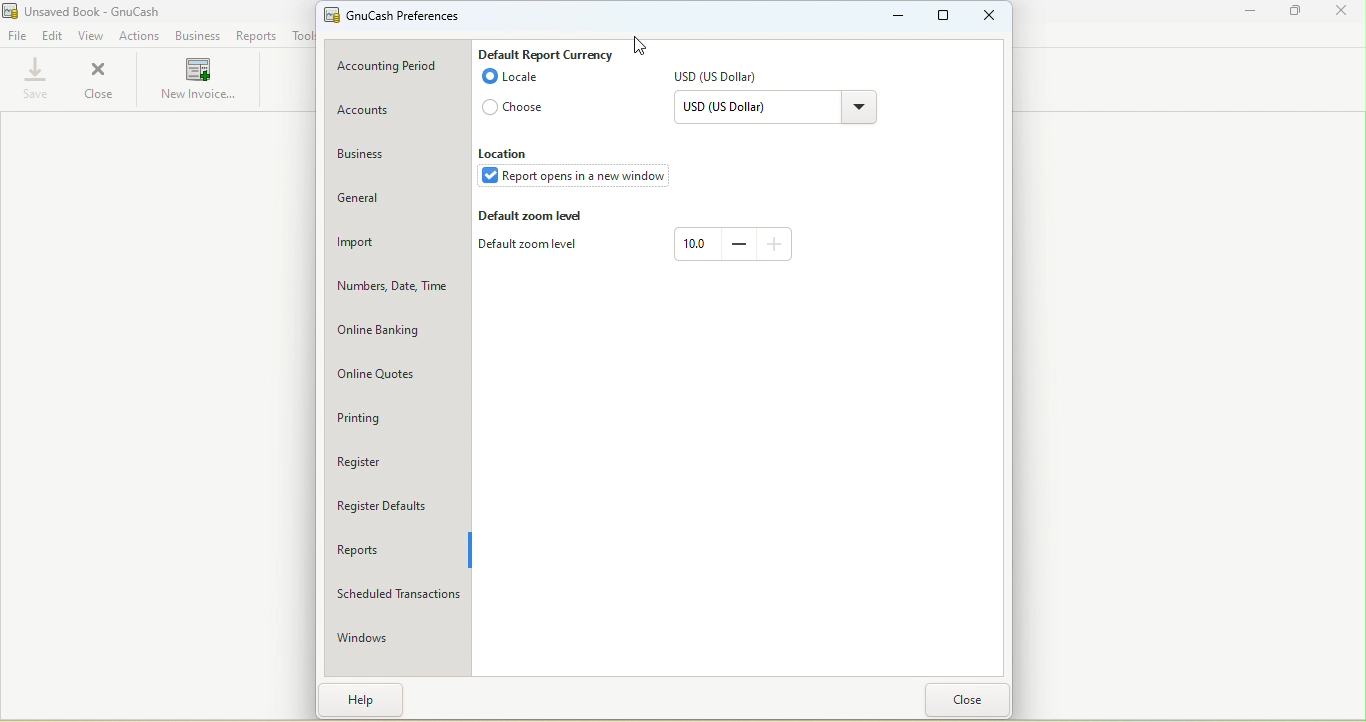 Image resolution: width=1366 pixels, height=722 pixels. Describe the element at coordinates (395, 505) in the screenshot. I see `Register defaults` at that location.